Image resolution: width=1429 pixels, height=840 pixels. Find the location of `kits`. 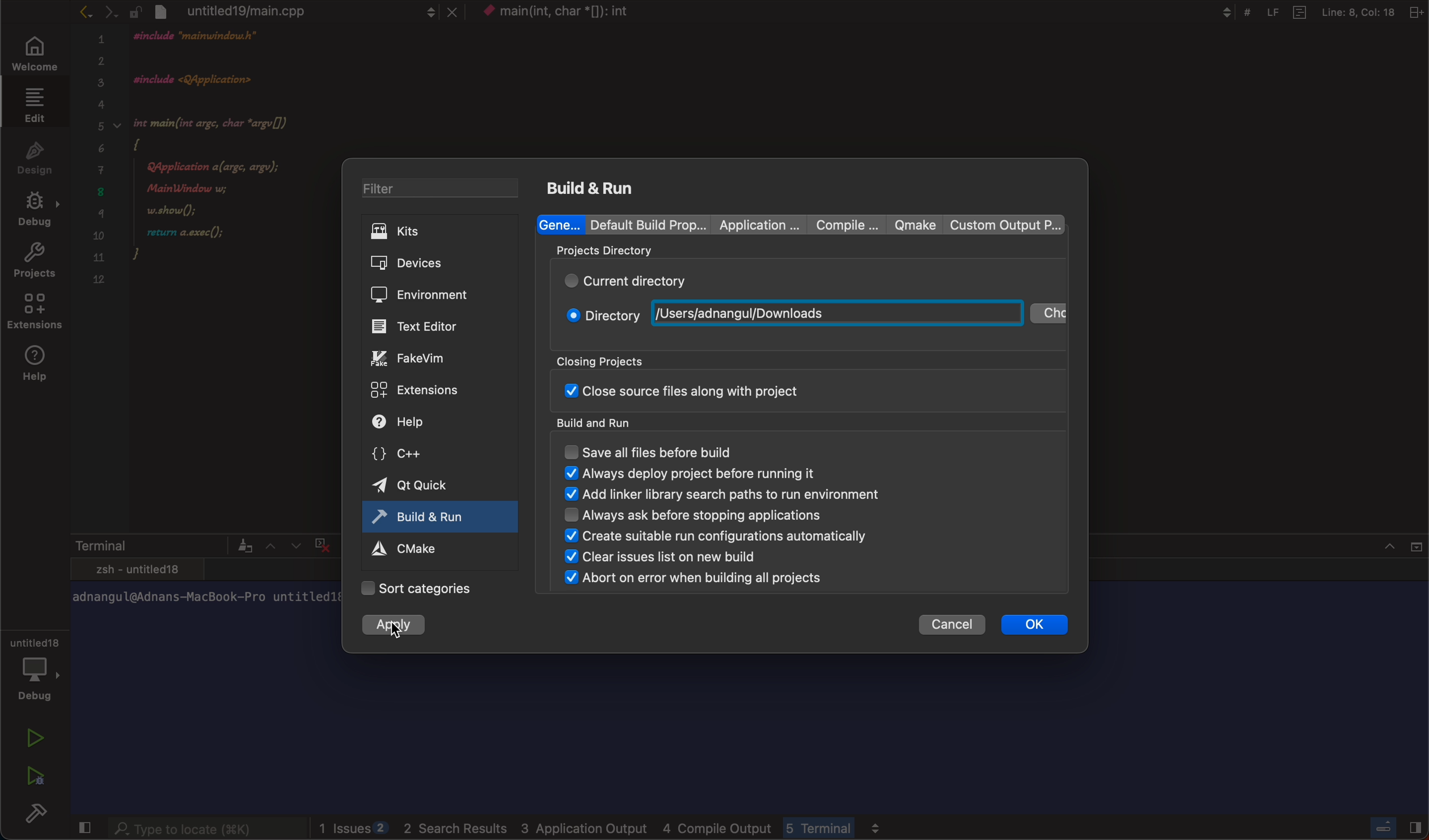

kits is located at coordinates (439, 230).